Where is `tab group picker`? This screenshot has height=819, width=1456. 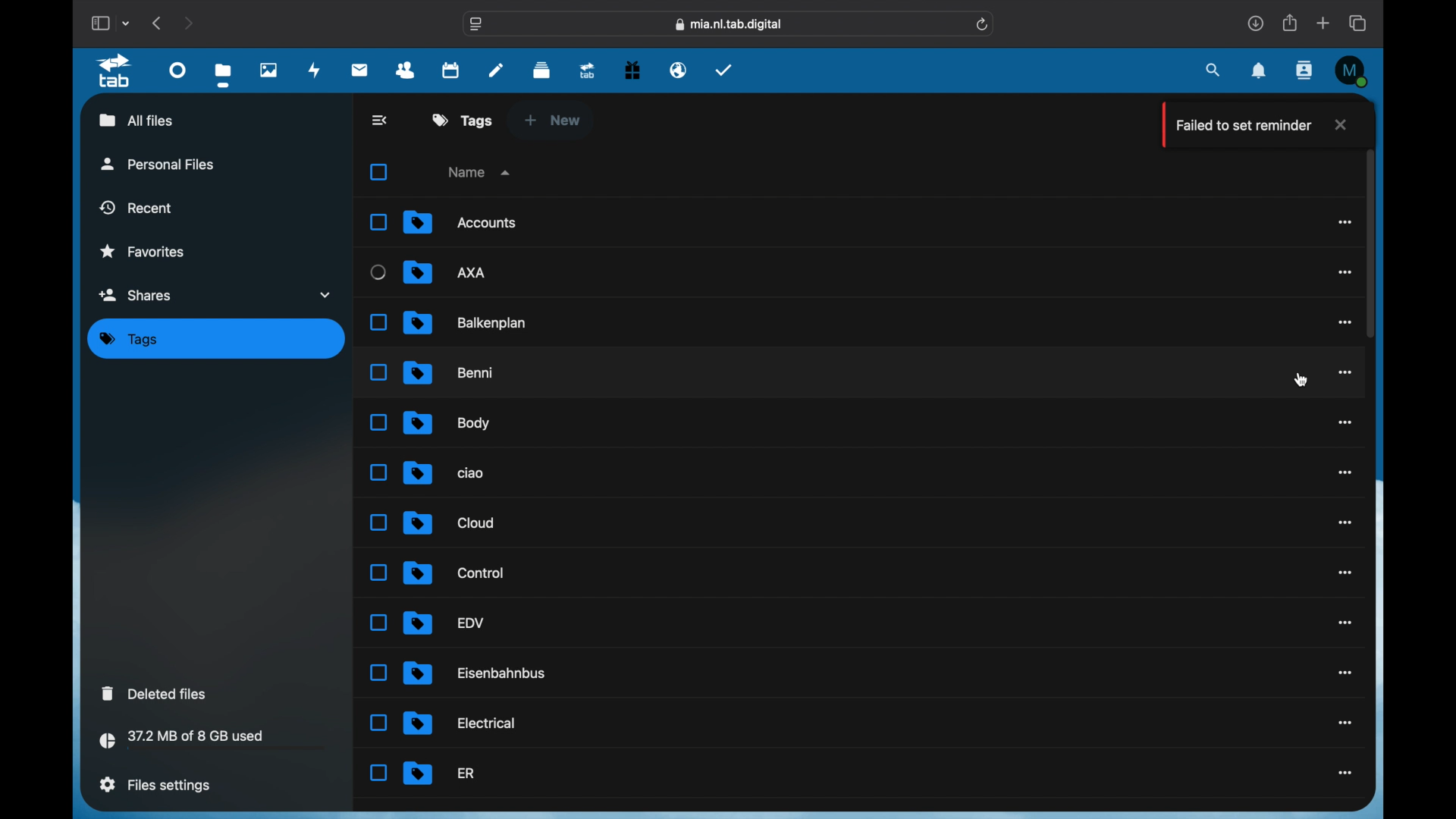 tab group picker is located at coordinates (126, 23).